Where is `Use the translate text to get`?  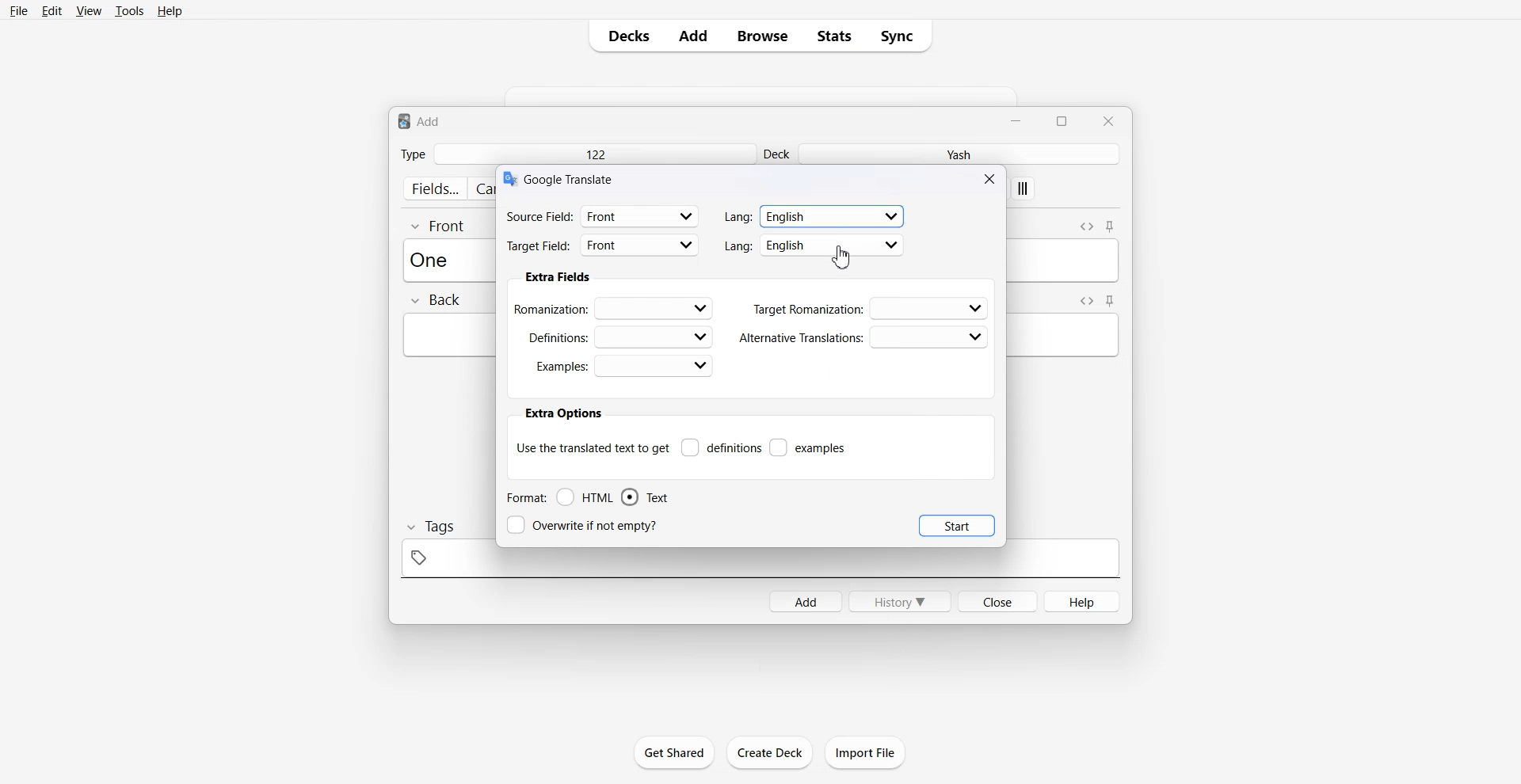 Use the translate text to get is located at coordinates (593, 447).